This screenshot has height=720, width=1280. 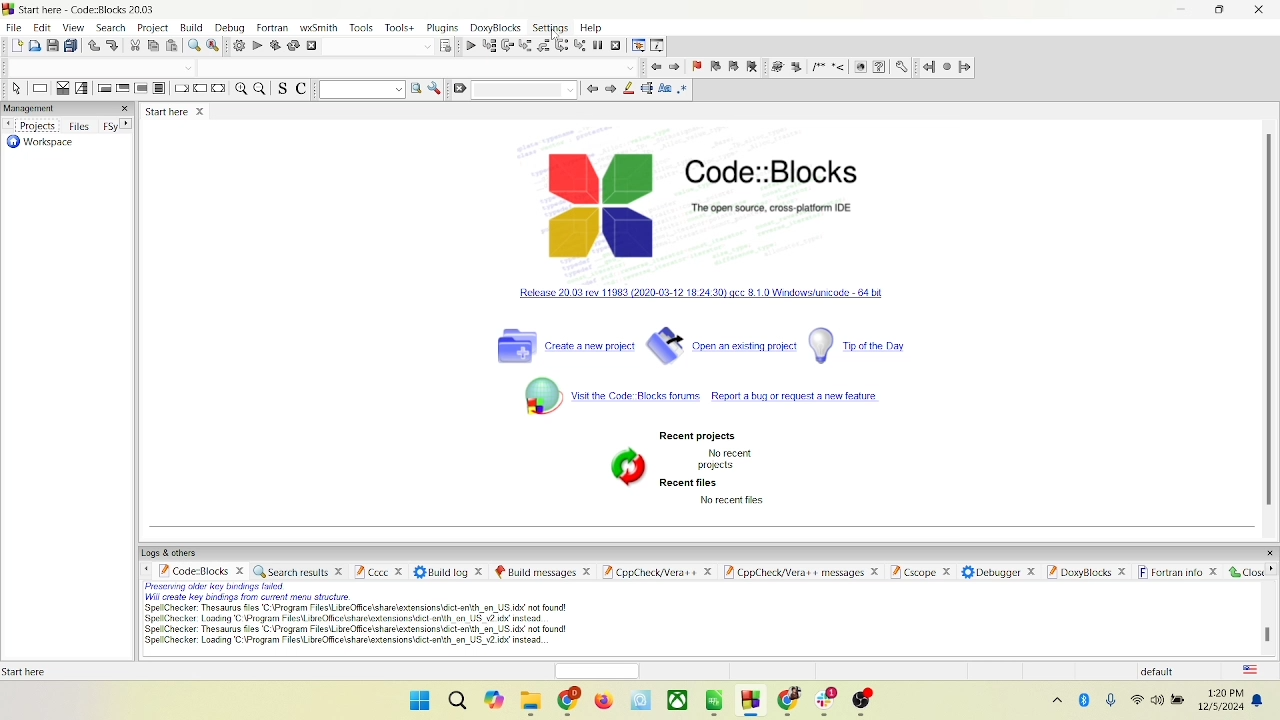 What do you see at coordinates (1166, 671) in the screenshot?
I see `default` at bounding box center [1166, 671].